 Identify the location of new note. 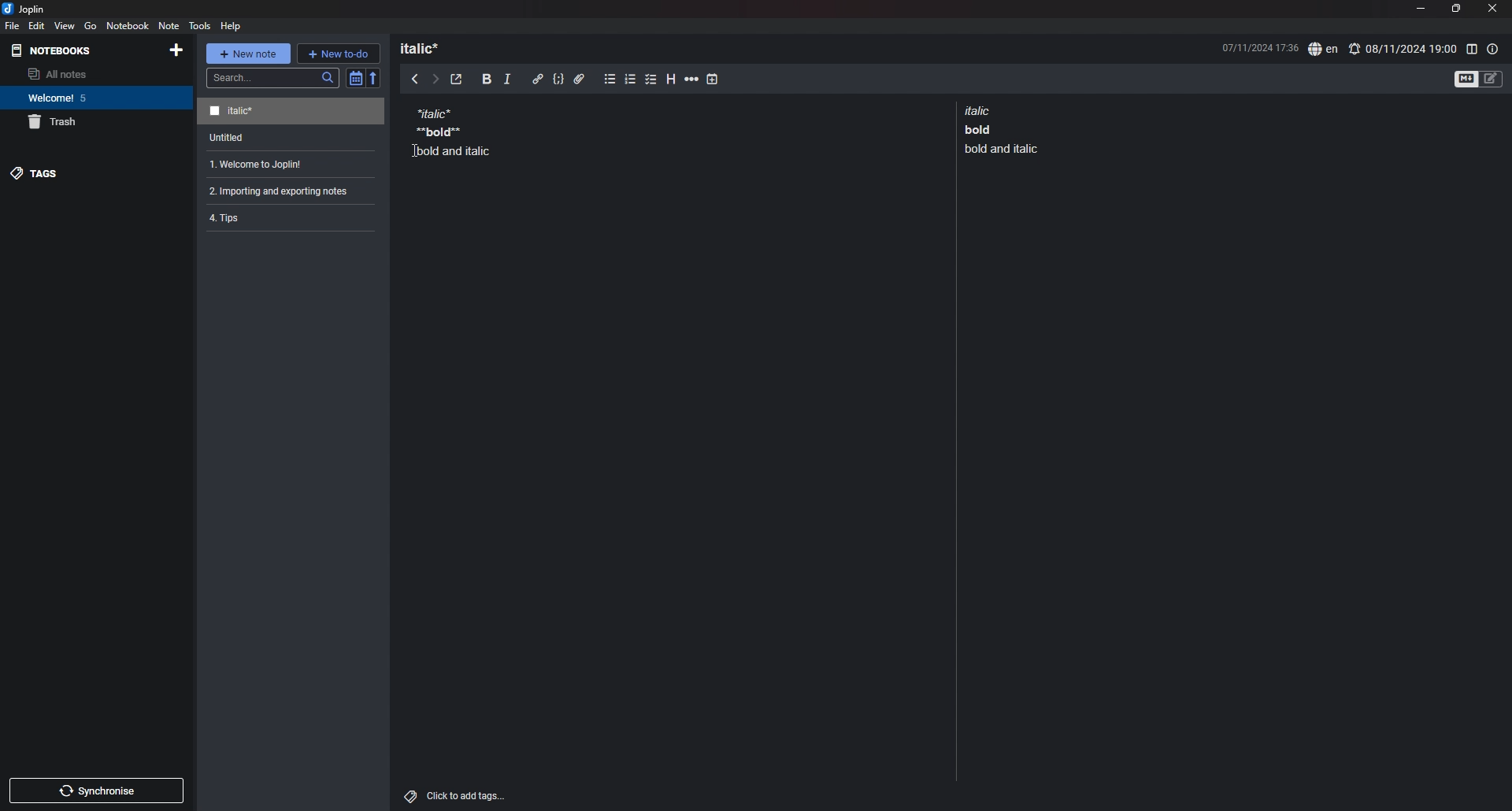
(247, 54).